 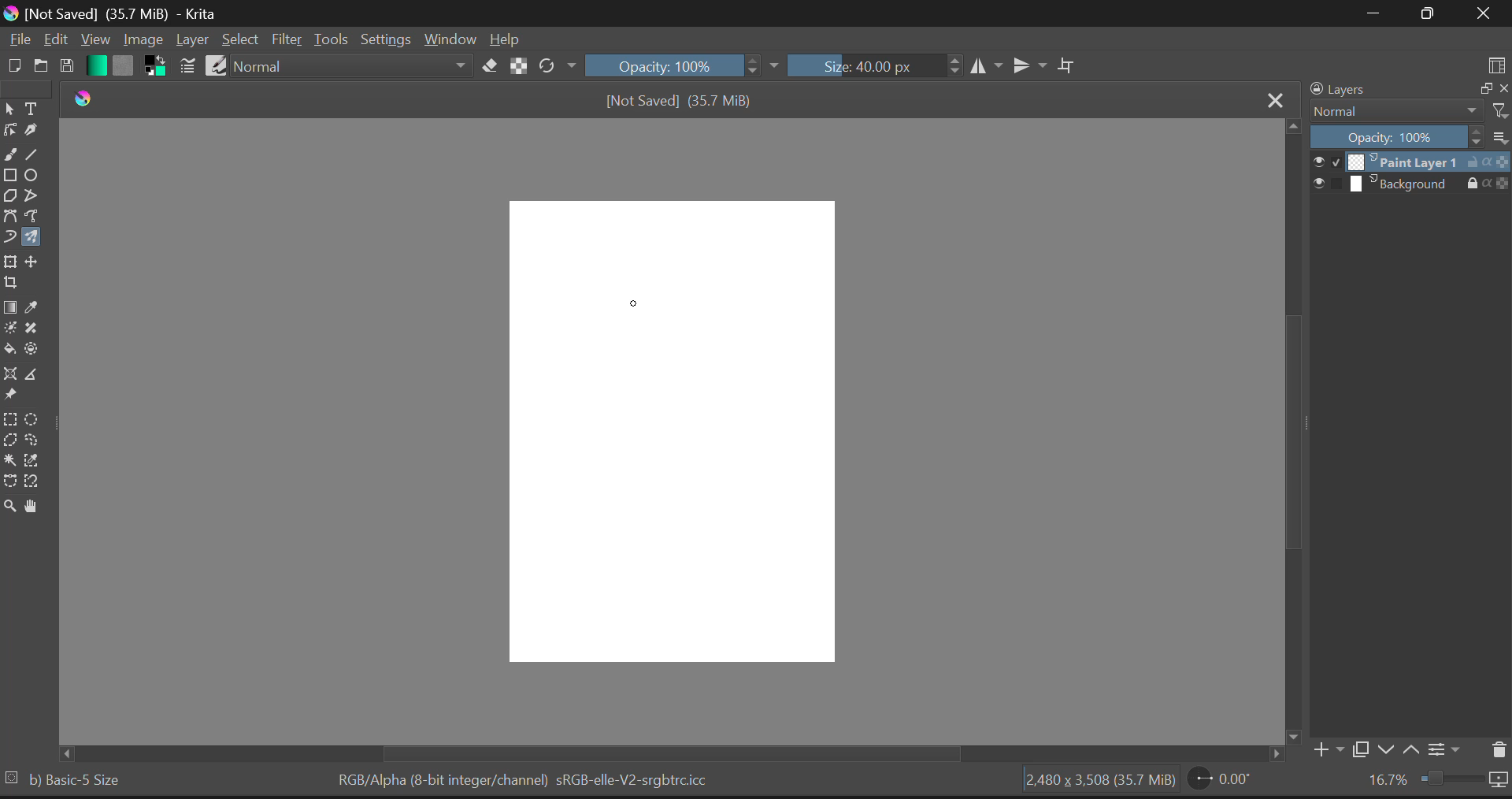 I want to click on  Size: 40.00 px, so click(x=875, y=66).